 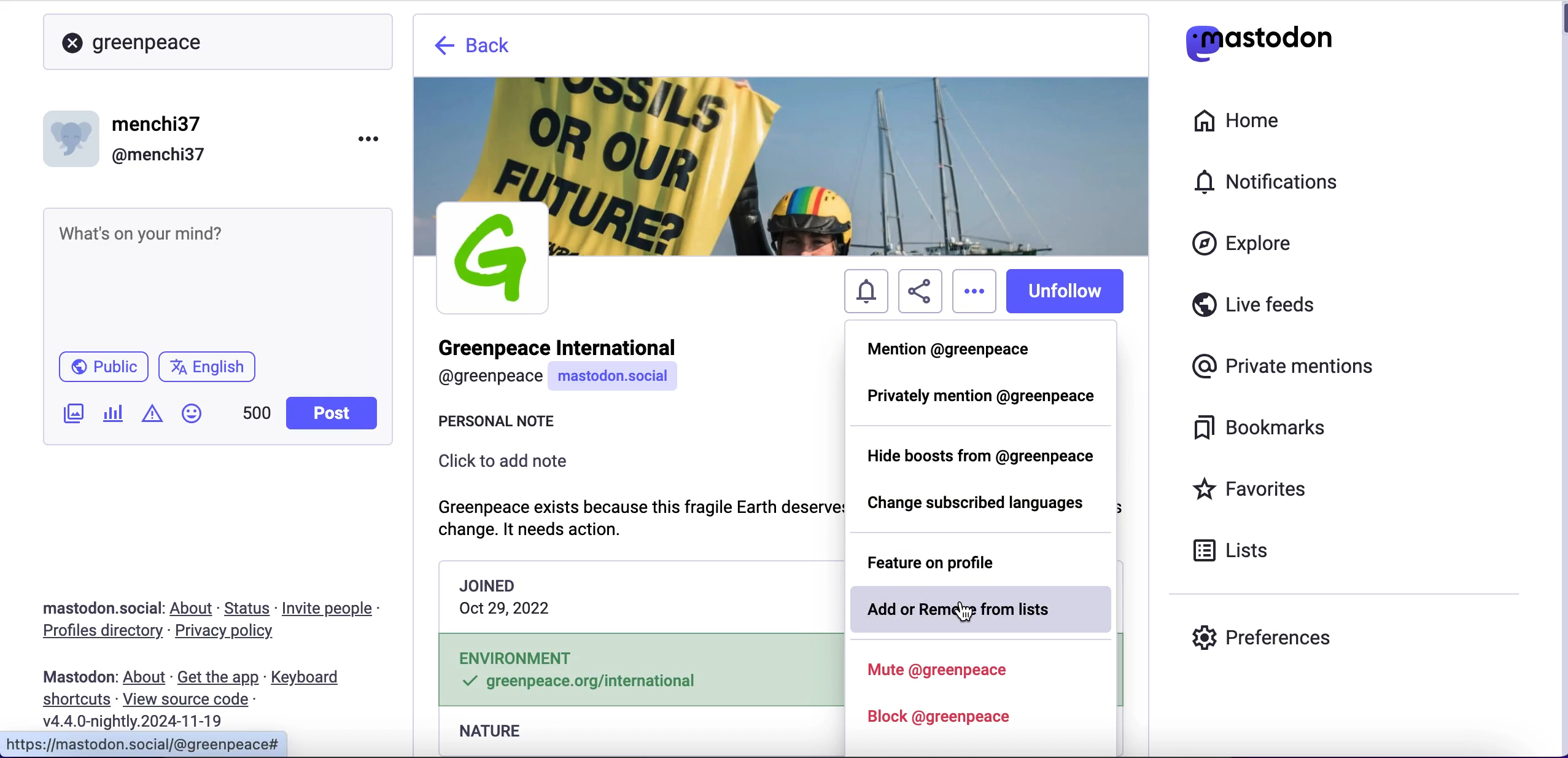 What do you see at coordinates (155, 415) in the screenshot?
I see `add content warning` at bounding box center [155, 415].